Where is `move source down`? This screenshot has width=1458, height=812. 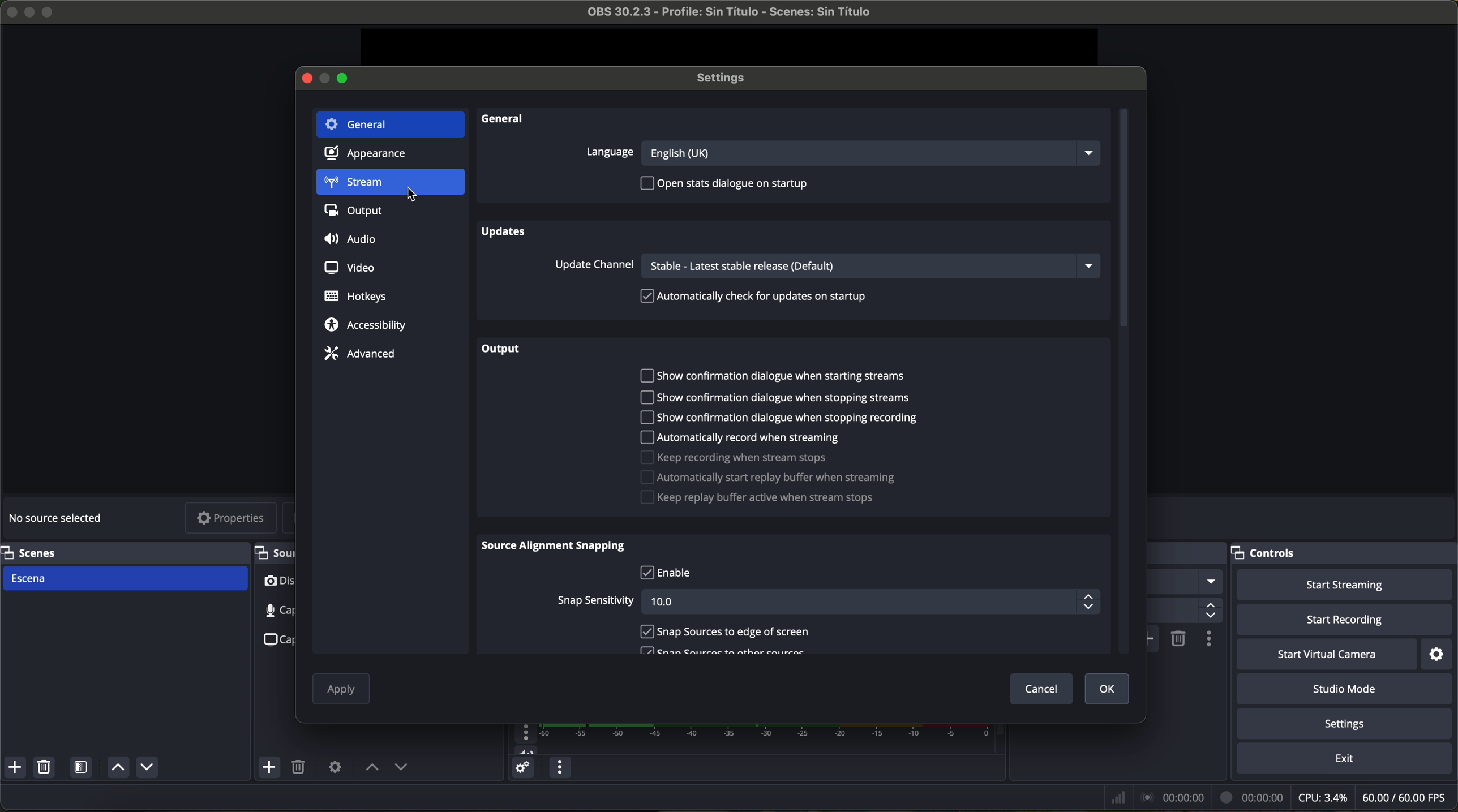
move source down is located at coordinates (147, 767).